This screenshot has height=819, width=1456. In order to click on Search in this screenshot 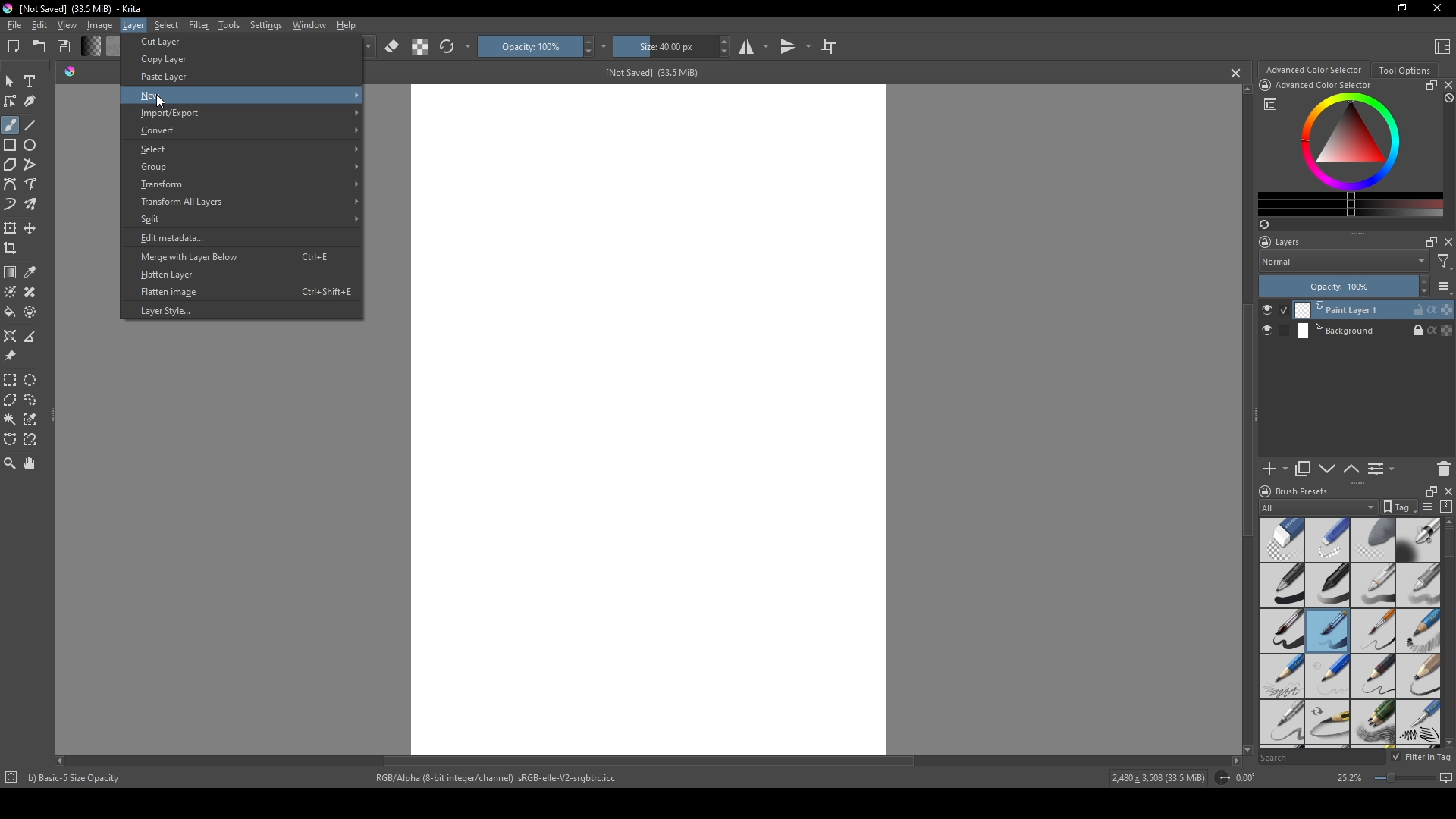, I will do `click(1321, 758)`.